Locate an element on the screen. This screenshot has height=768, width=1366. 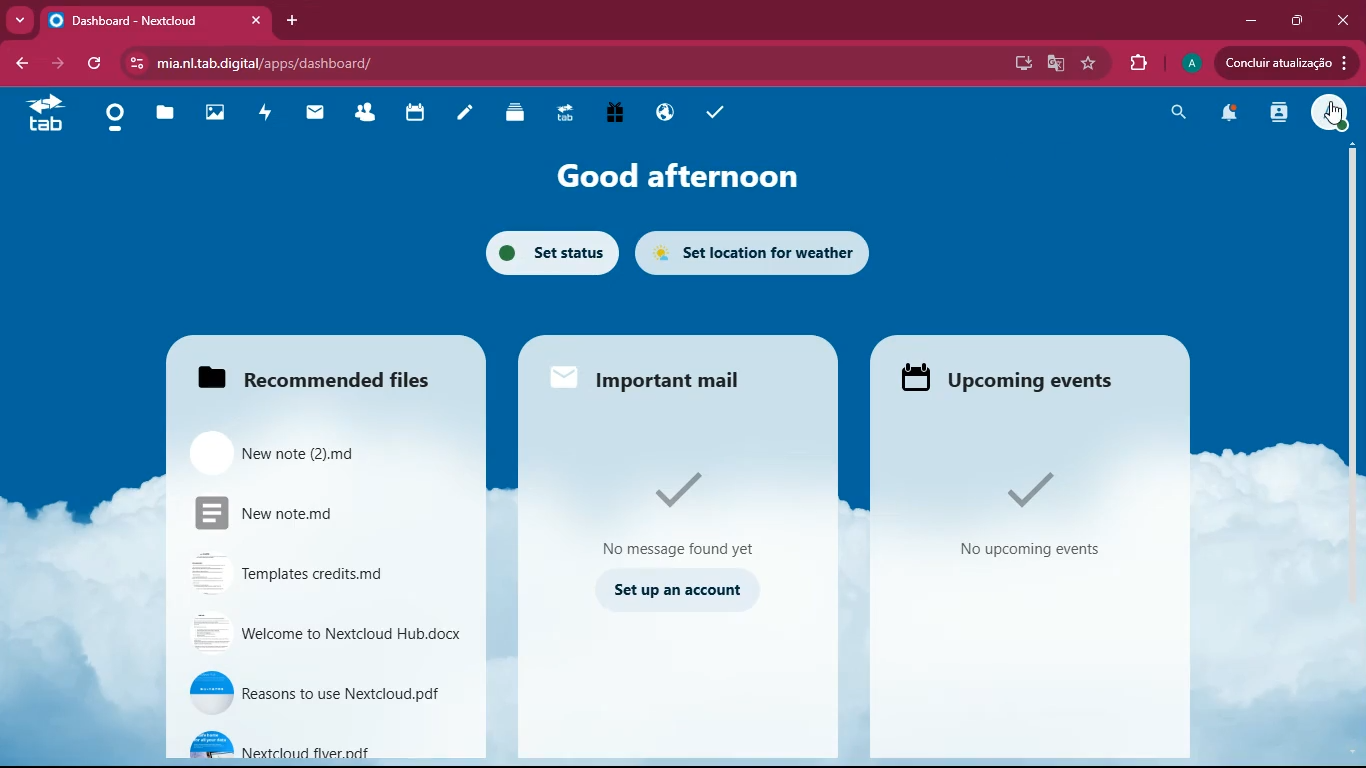
mail is located at coordinates (310, 114).